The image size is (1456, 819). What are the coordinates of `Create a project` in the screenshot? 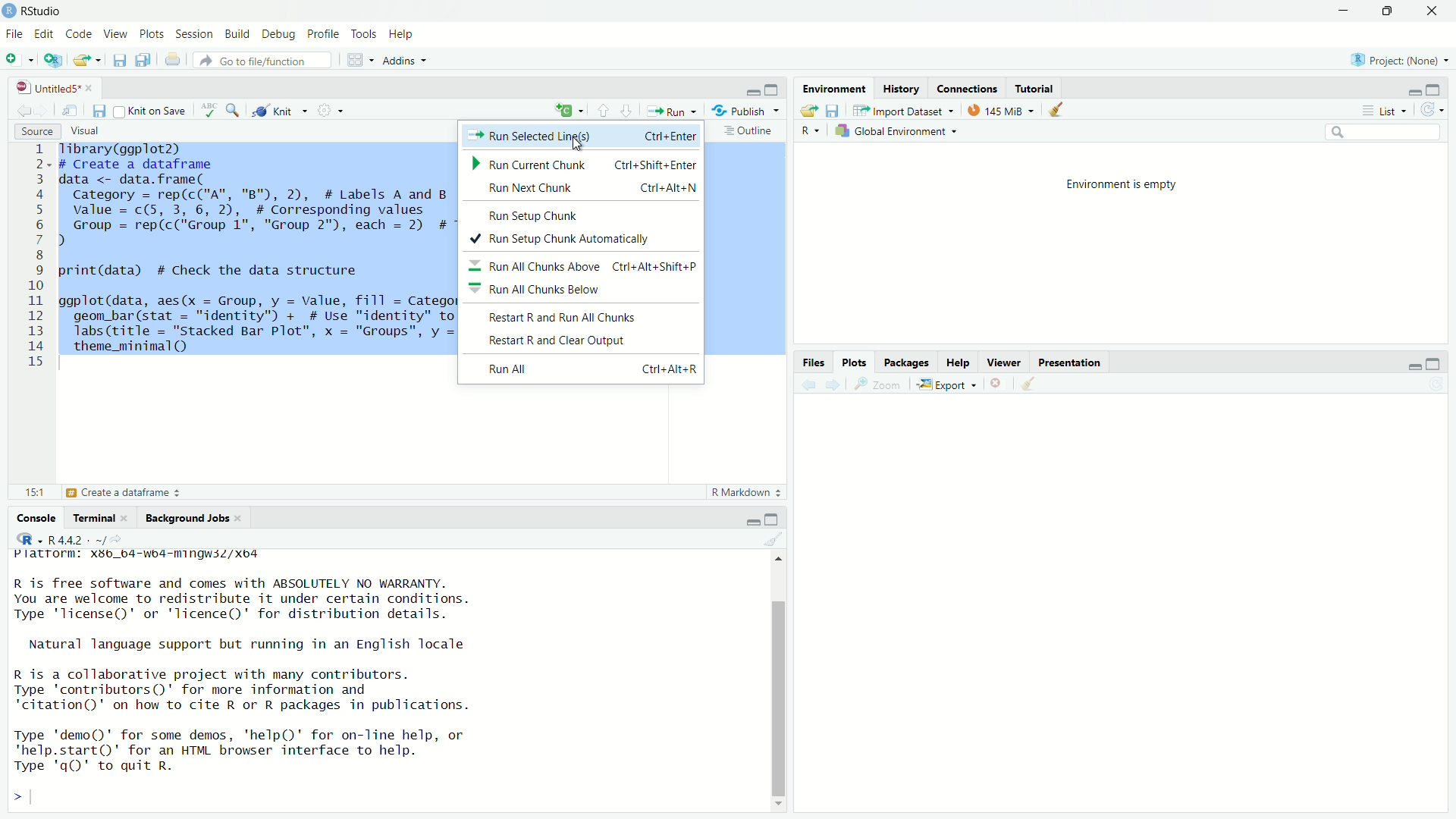 It's located at (53, 60).